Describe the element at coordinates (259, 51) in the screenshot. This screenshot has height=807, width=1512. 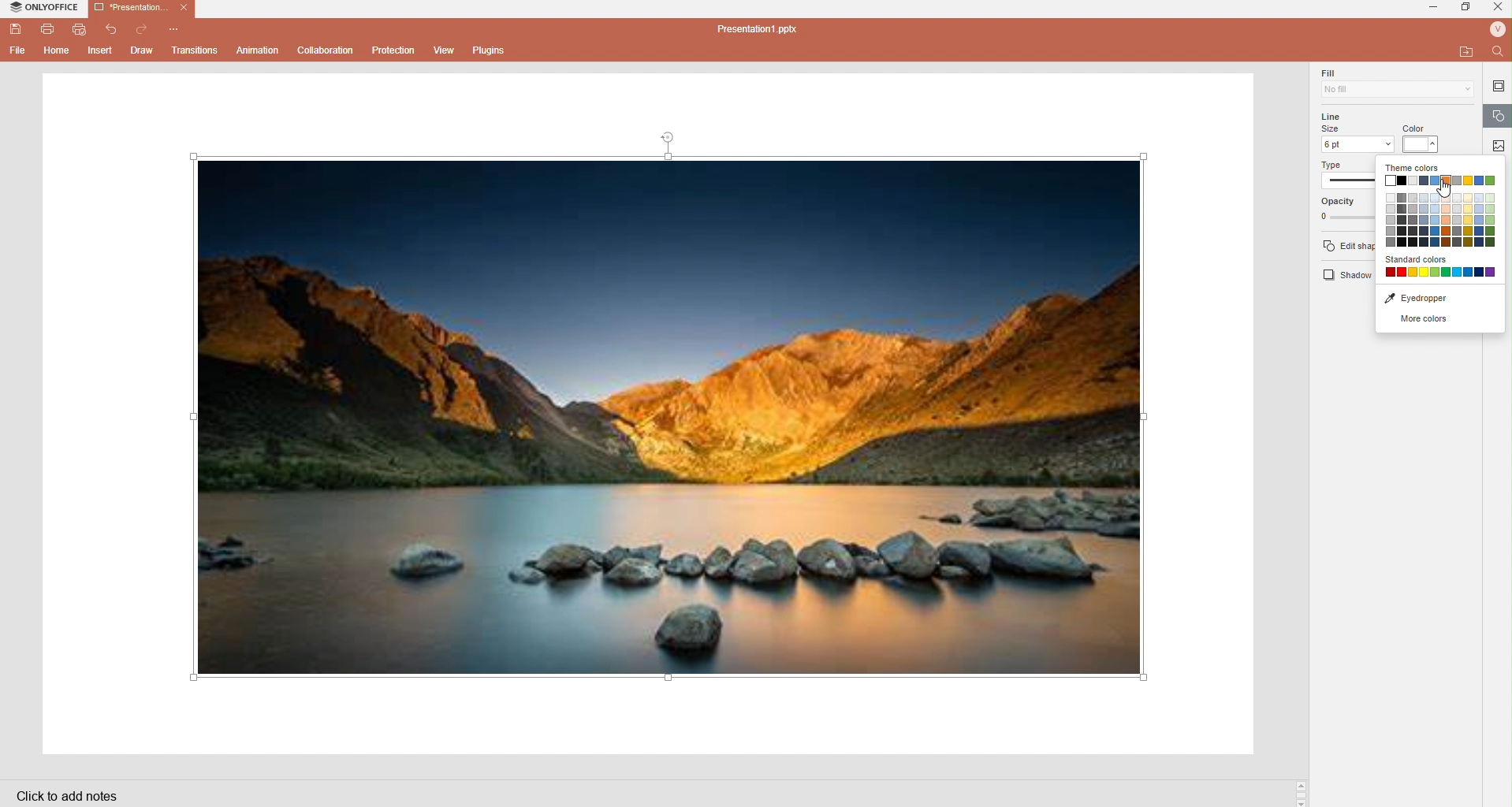
I see `Animation` at that location.